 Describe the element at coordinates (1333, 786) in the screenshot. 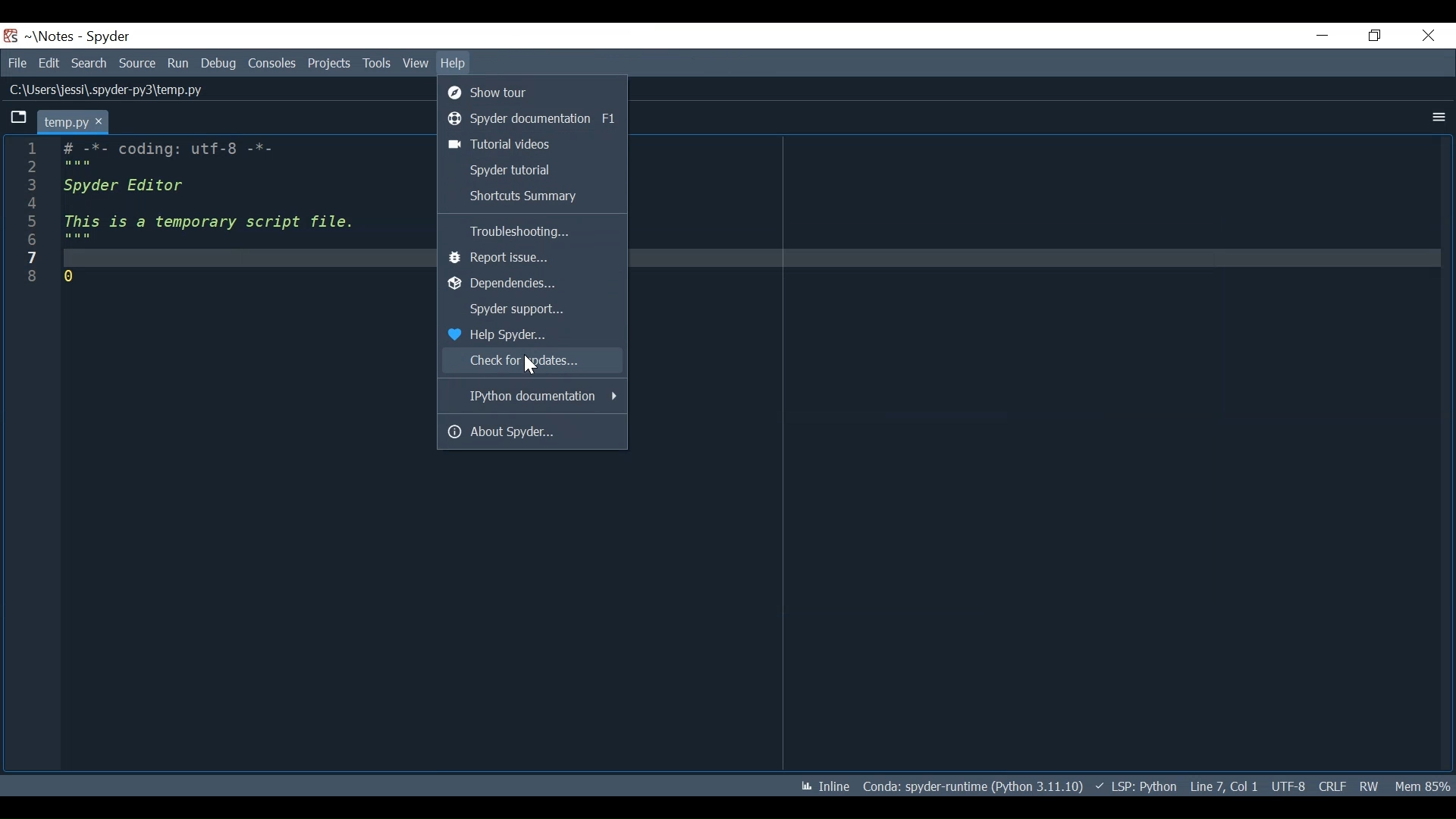

I see `CRLF` at that location.